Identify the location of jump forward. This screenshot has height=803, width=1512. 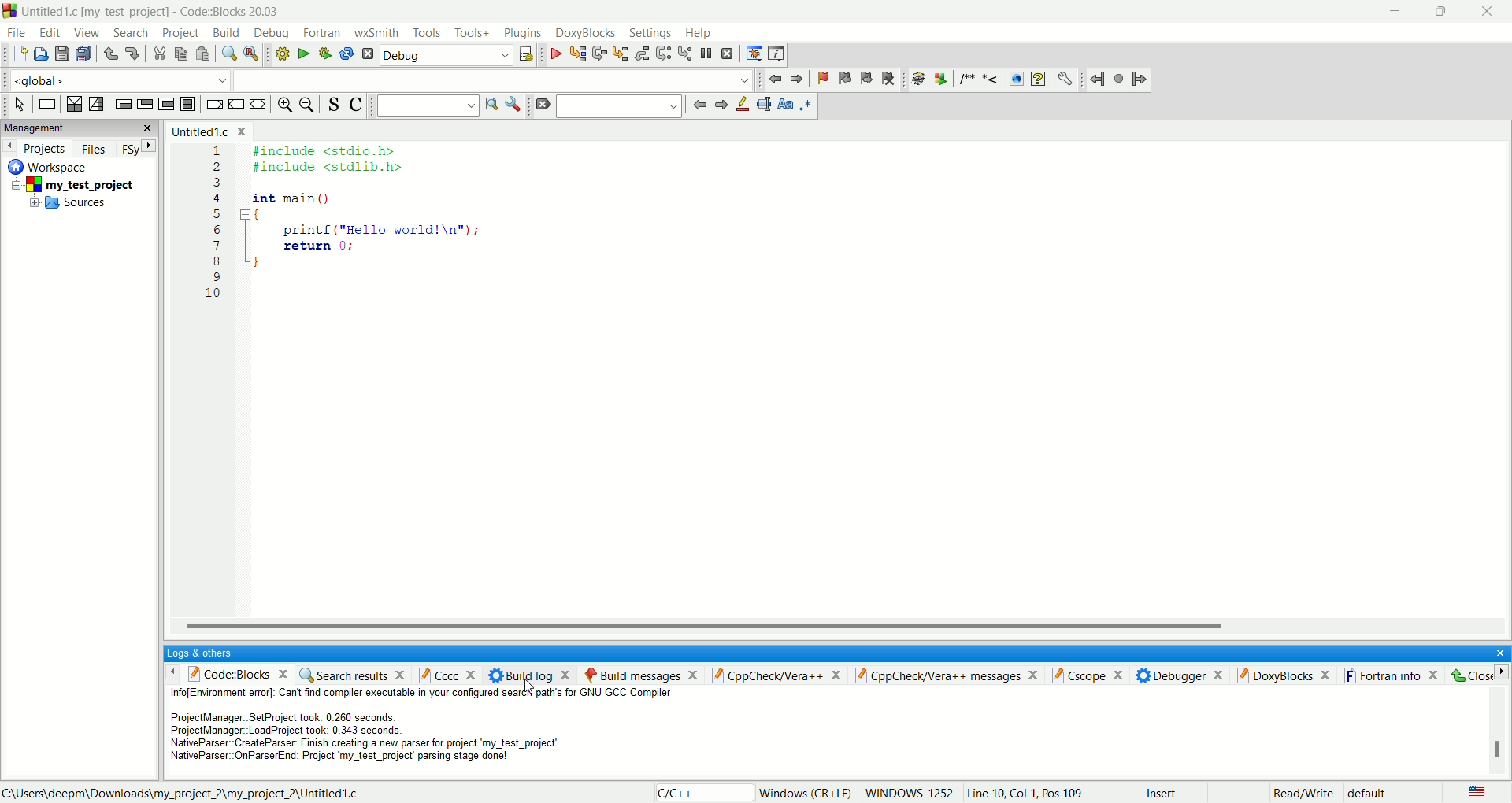
(721, 105).